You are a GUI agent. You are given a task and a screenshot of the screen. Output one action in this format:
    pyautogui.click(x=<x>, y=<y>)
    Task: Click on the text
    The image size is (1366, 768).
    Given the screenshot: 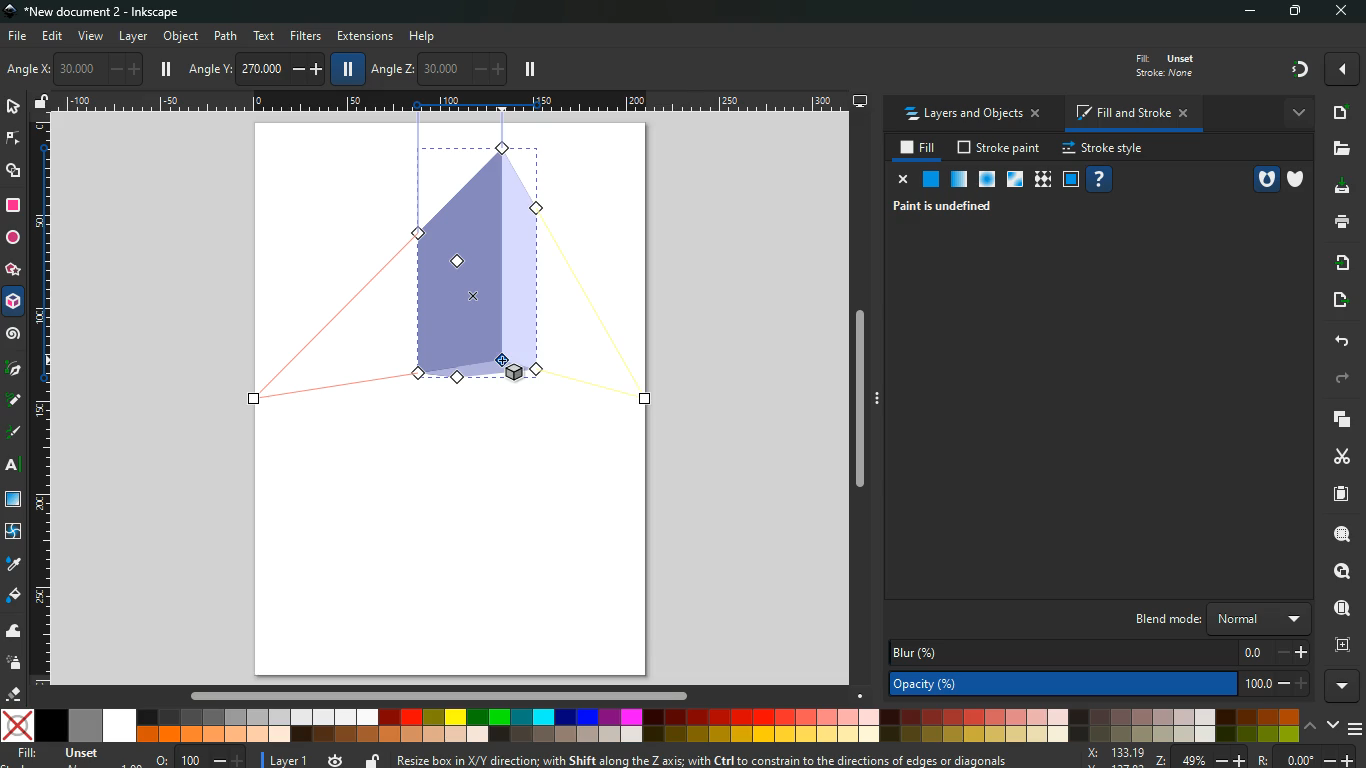 What is the action you would take?
    pyautogui.click(x=15, y=467)
    